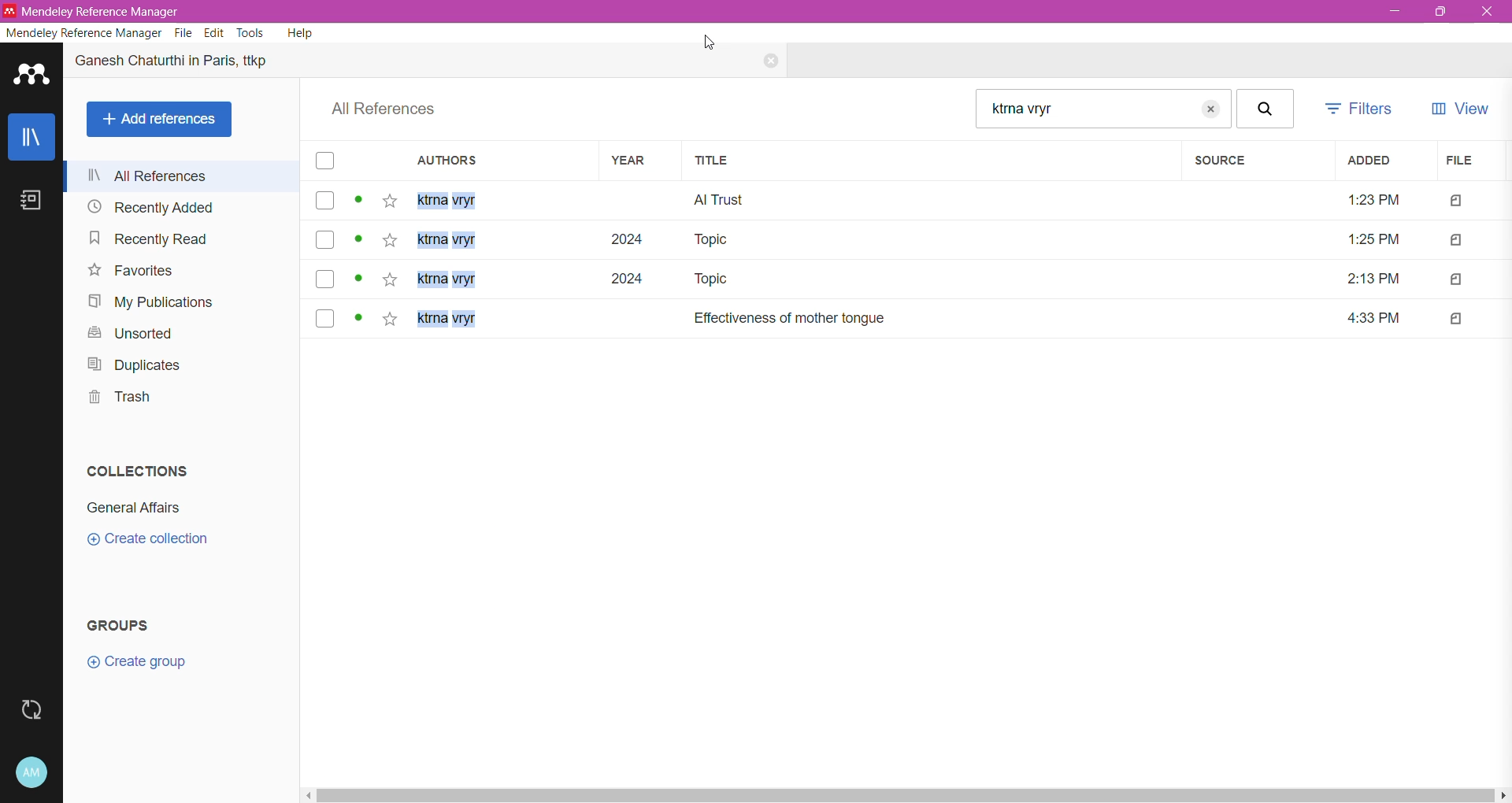 Image resolution: width=1512 pixels, height=803 pixels. Describe the element at coordinates (906, 794) in the screenshot. I see `Horizontal Scroll Bar` at that location.